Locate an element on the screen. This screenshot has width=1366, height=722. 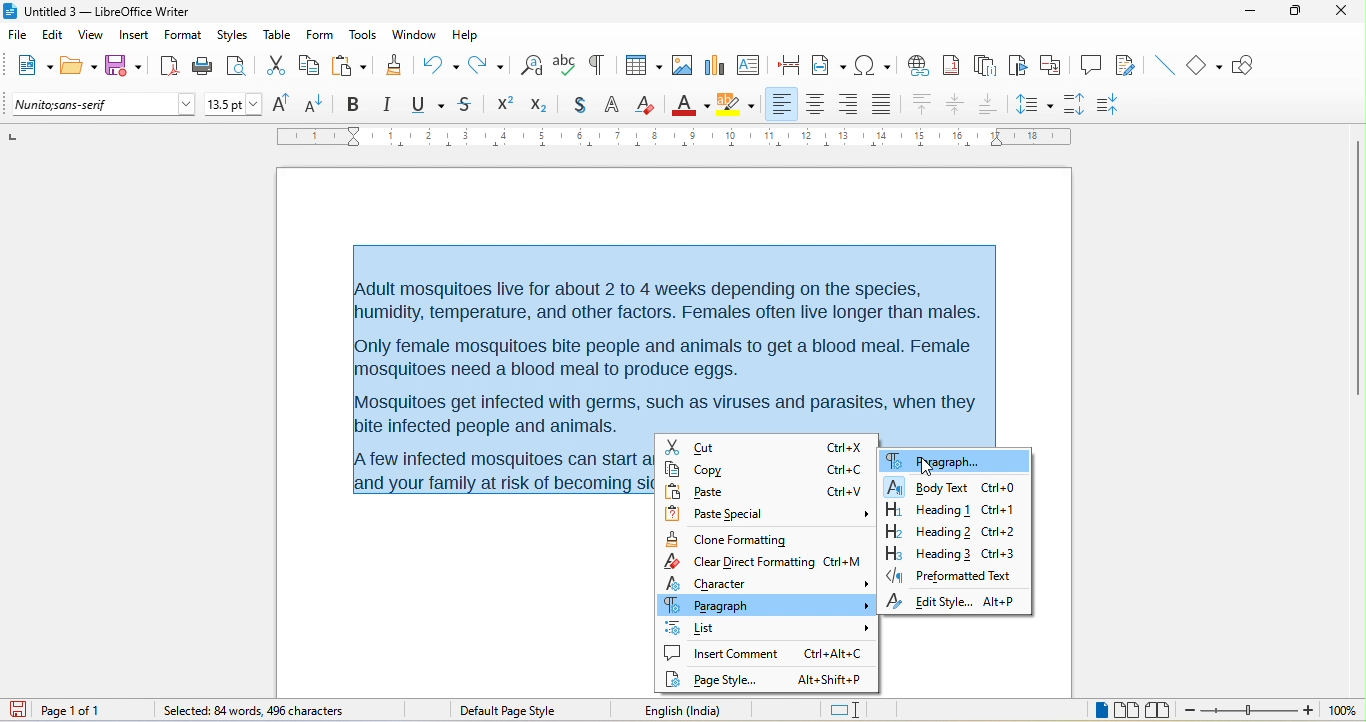
multiple page view is located at coordinates (1127, 711).